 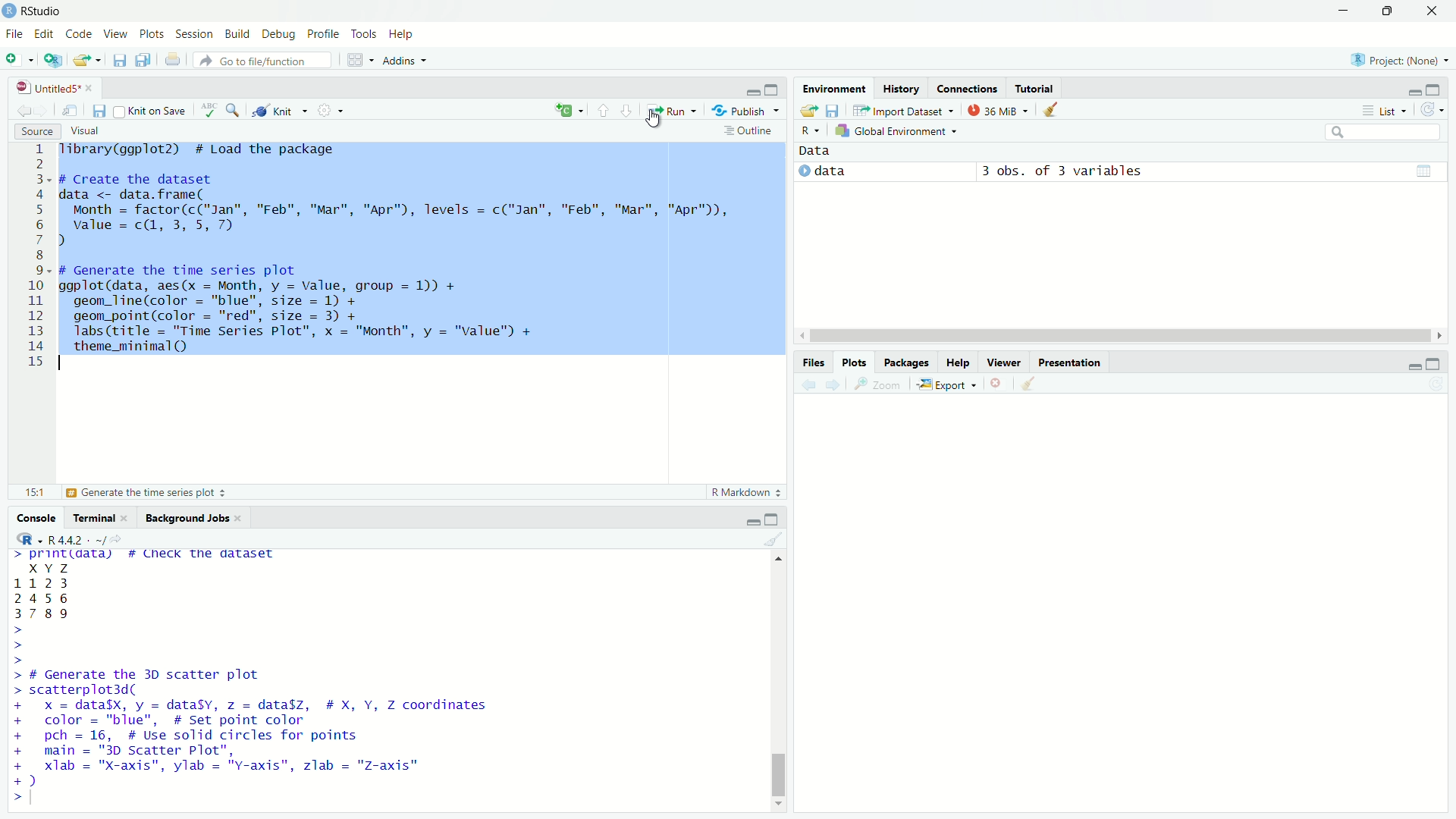 What do you see at coordinates (748, 109) in the screenshot?
I see `publish` at bounding box center [748, 109].